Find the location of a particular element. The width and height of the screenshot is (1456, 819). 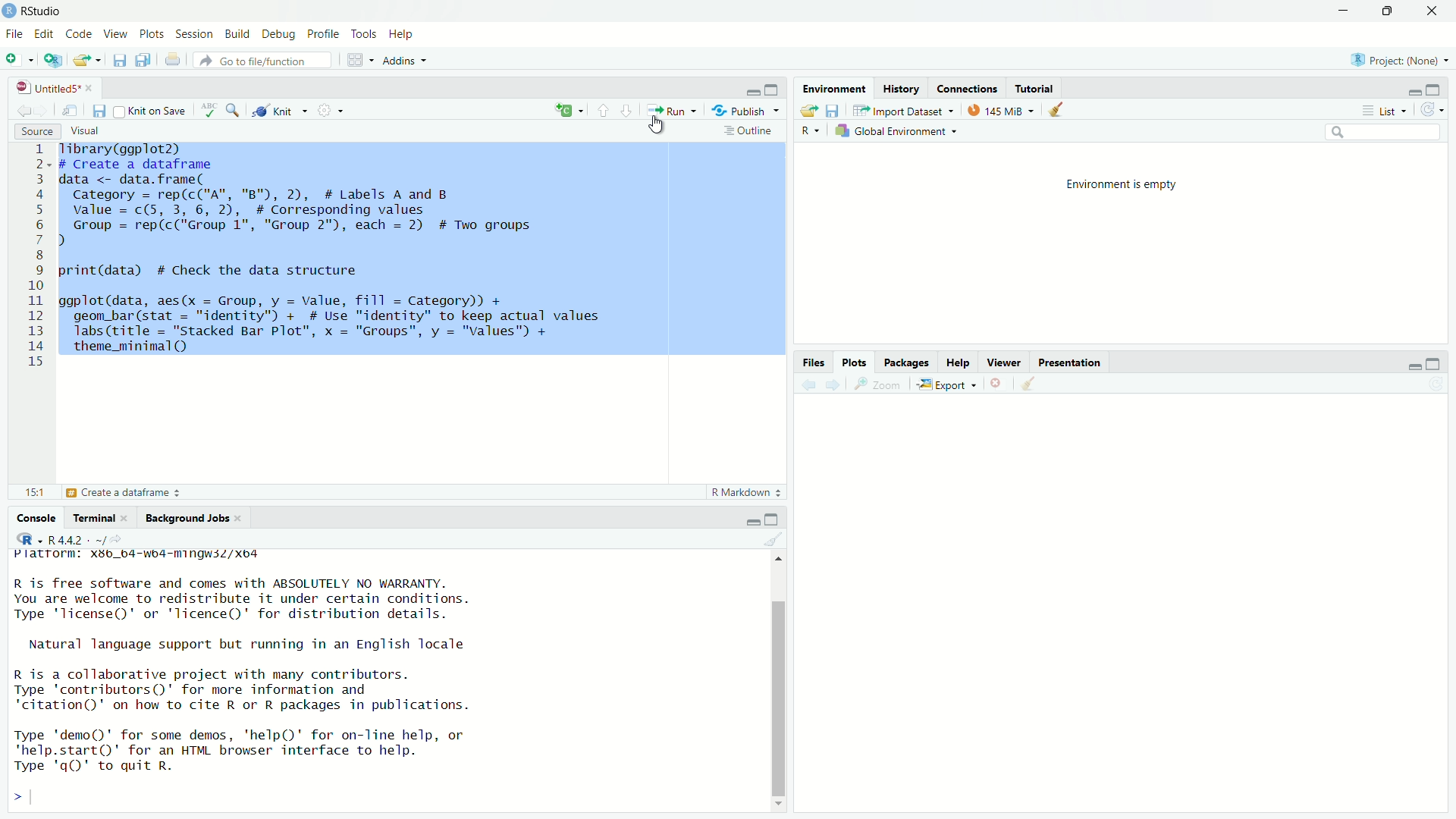

Plots is located at coordinates (152, 33).